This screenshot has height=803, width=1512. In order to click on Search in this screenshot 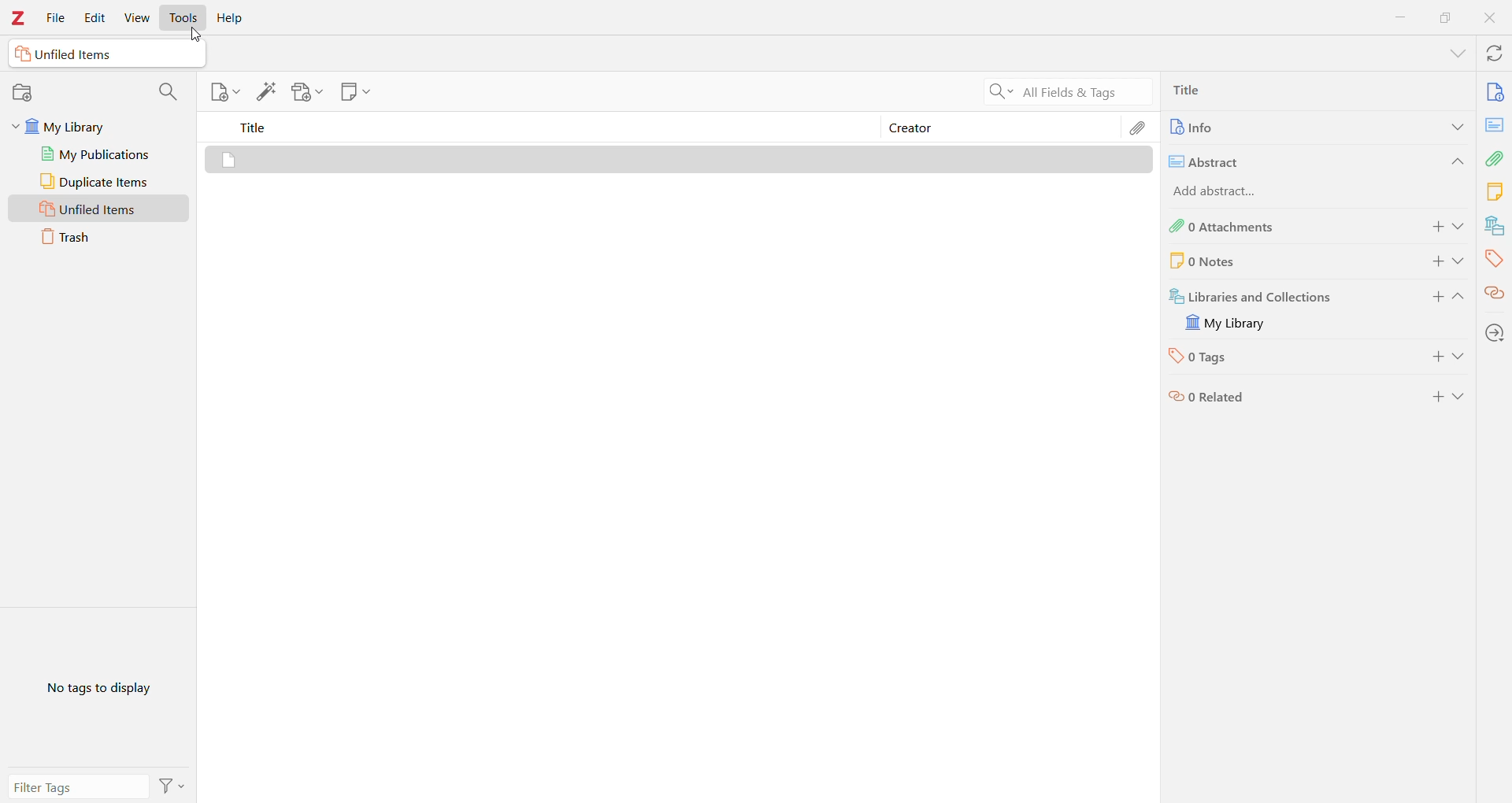, I will do `click(1069, 91)`.